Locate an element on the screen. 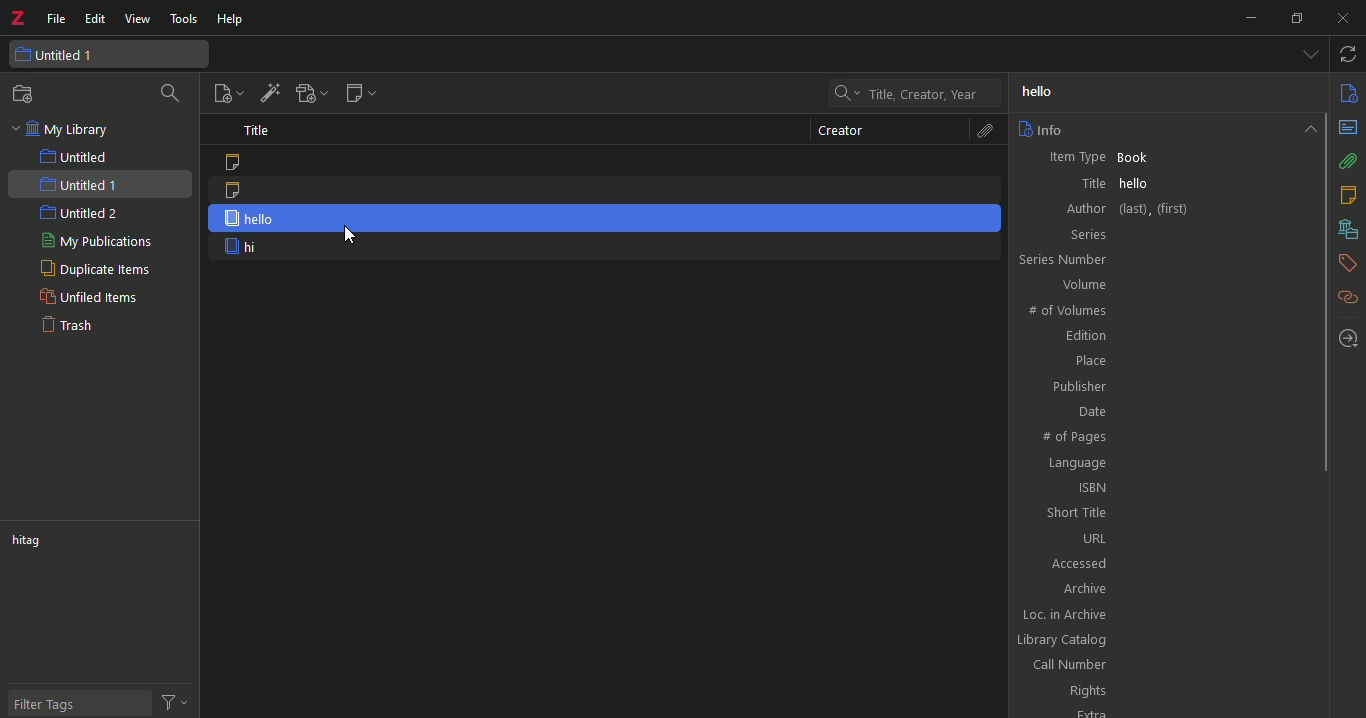 The image size is (1366, 718). tab is located at coordinates (1304, 53).